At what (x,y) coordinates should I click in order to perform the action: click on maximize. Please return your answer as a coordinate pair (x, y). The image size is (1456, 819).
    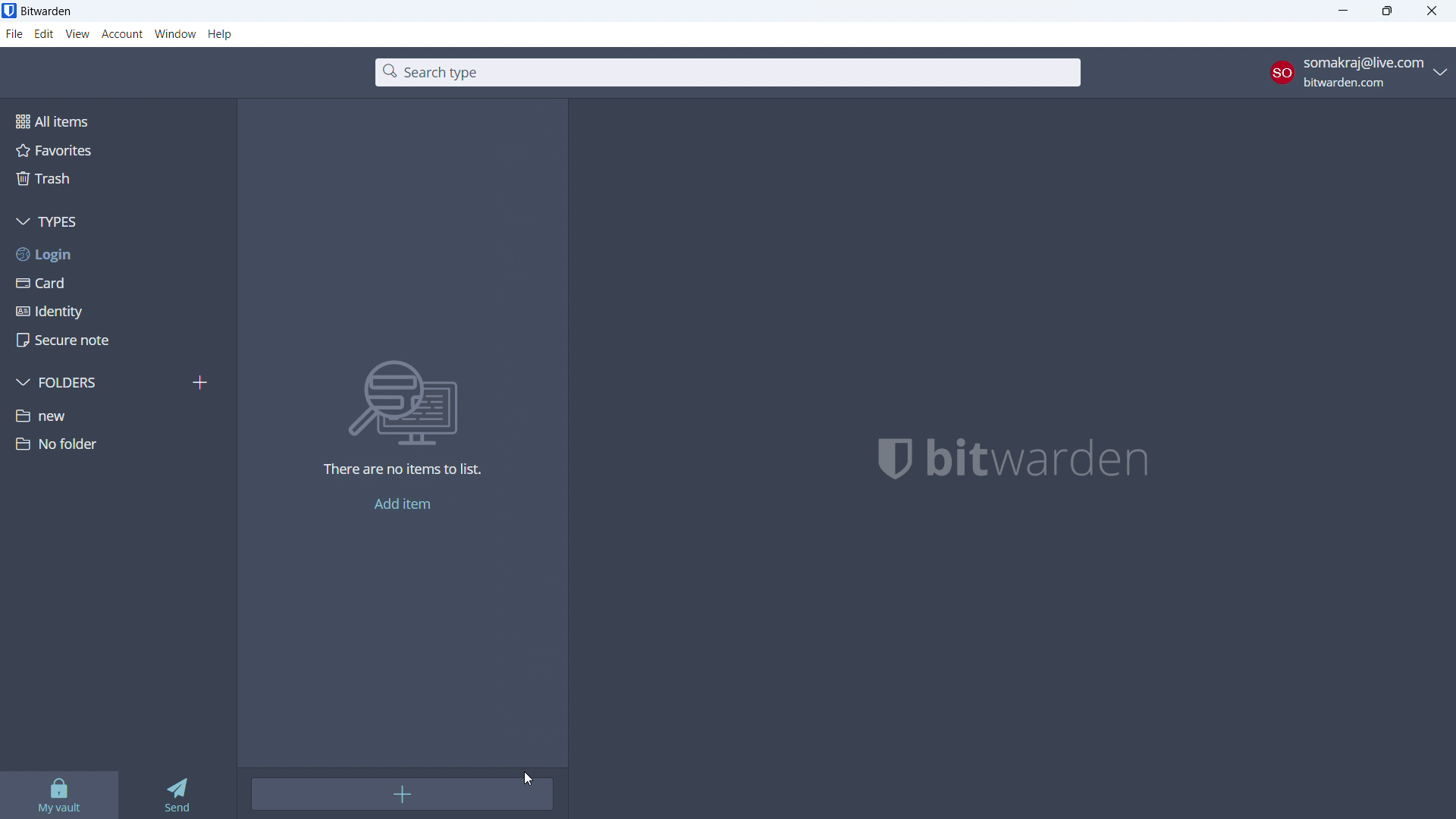
    Looking at the image, I should click on (1387, 11).